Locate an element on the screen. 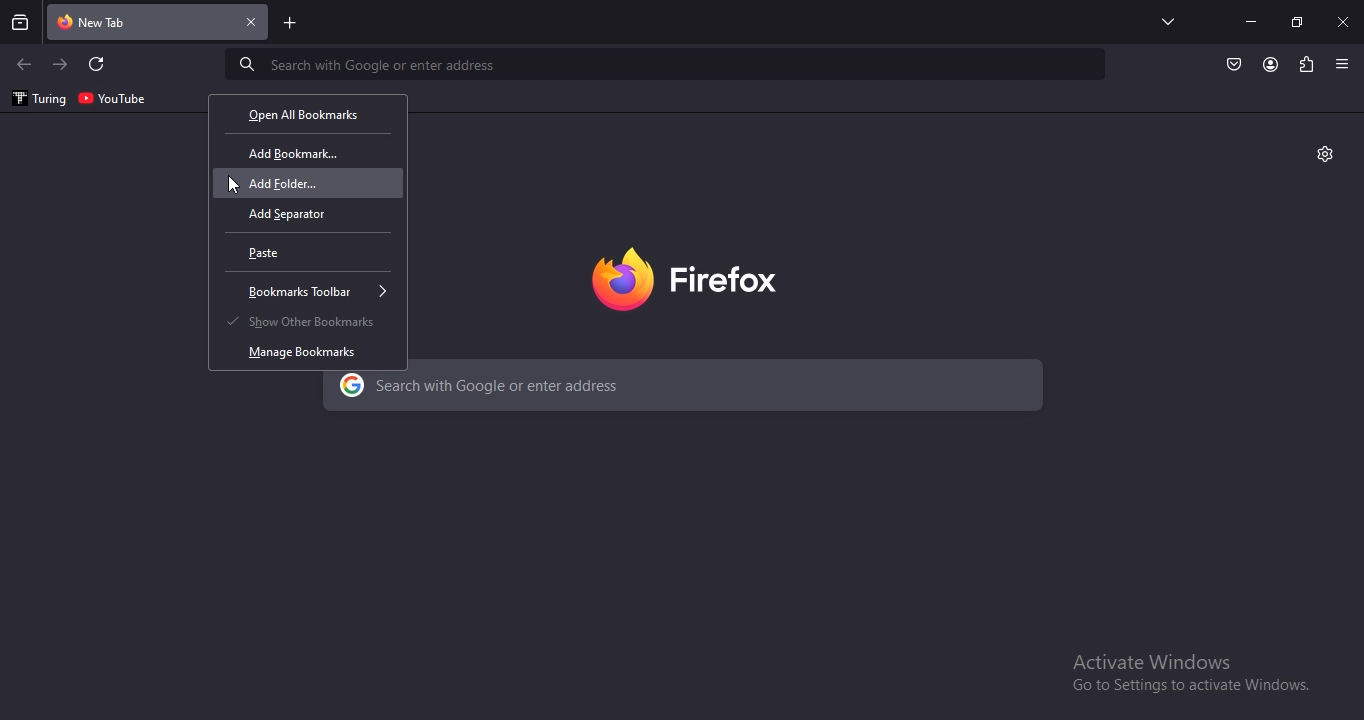  add separator is located at coordinates (292, 214).